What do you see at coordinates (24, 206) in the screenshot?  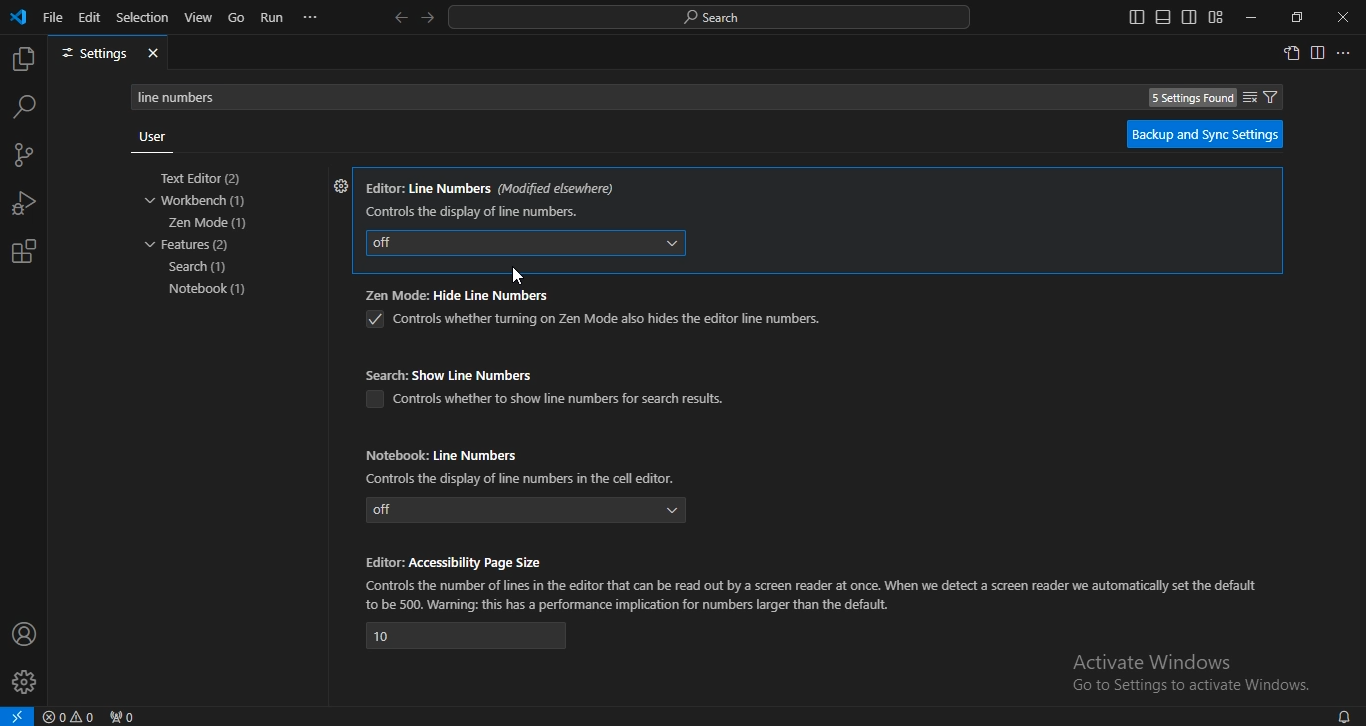 I see `run and debug` at bounding box center [24, 206].